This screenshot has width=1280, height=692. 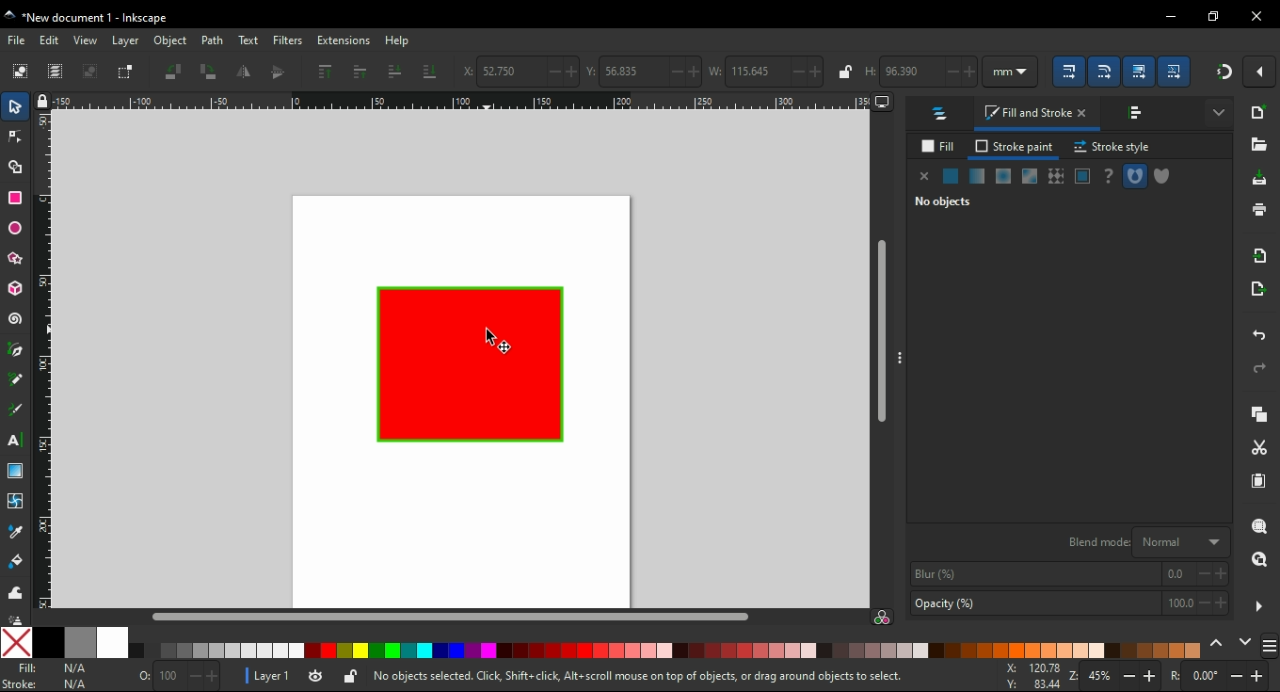 What do you see at coordinates (912, 71) in the screenshot?
I see `96` at bounding box center [912, 71].